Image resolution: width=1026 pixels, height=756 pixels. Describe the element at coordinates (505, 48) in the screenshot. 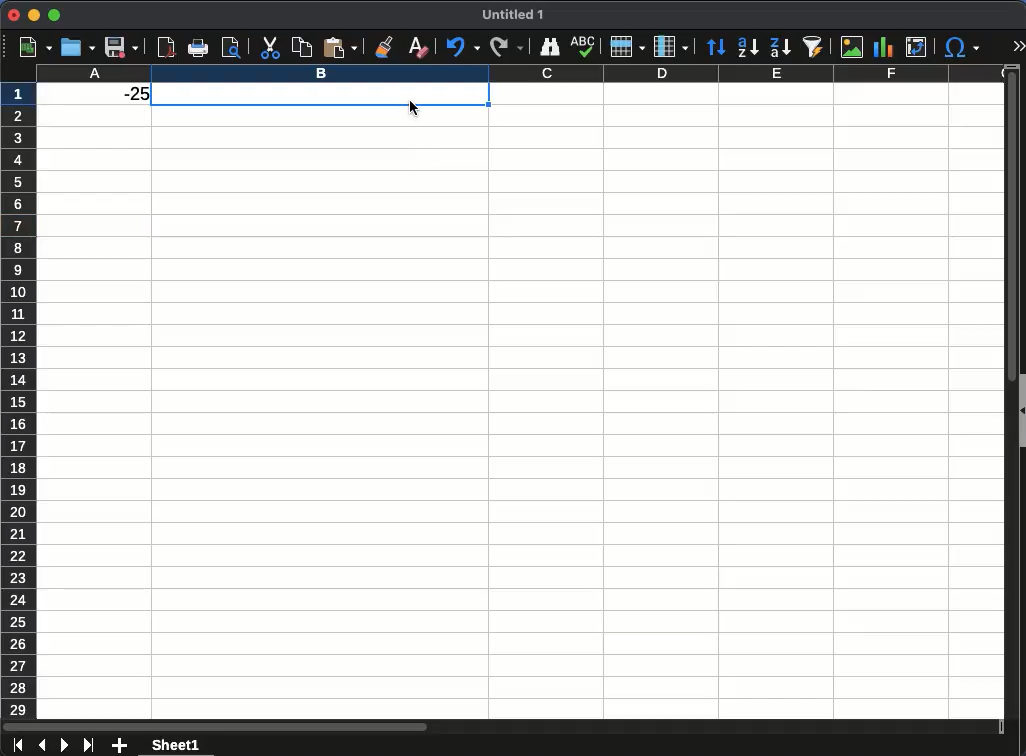

I see `redo` at that location.